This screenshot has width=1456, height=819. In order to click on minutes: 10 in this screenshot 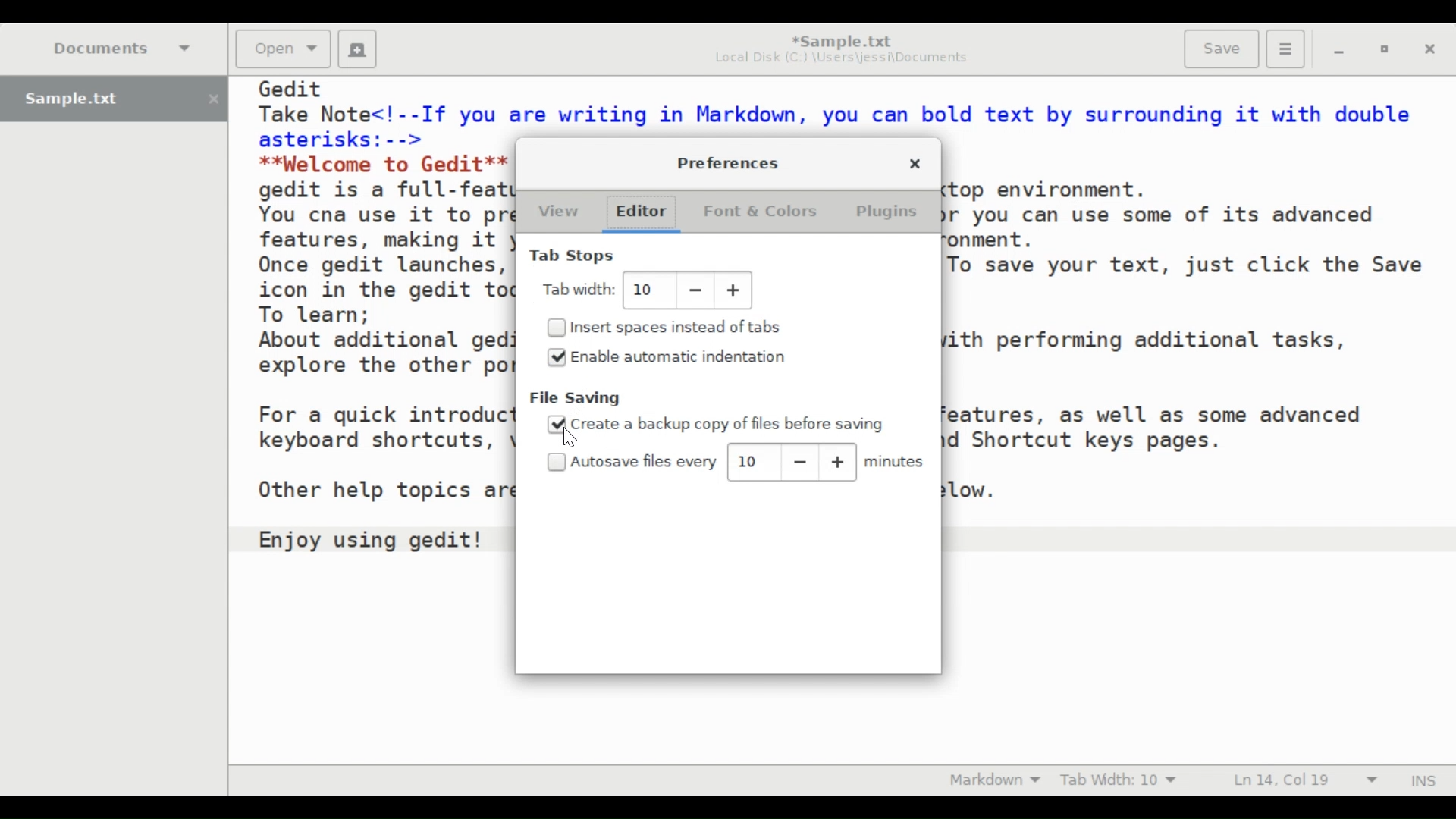, I will do `click(753, 460)`.